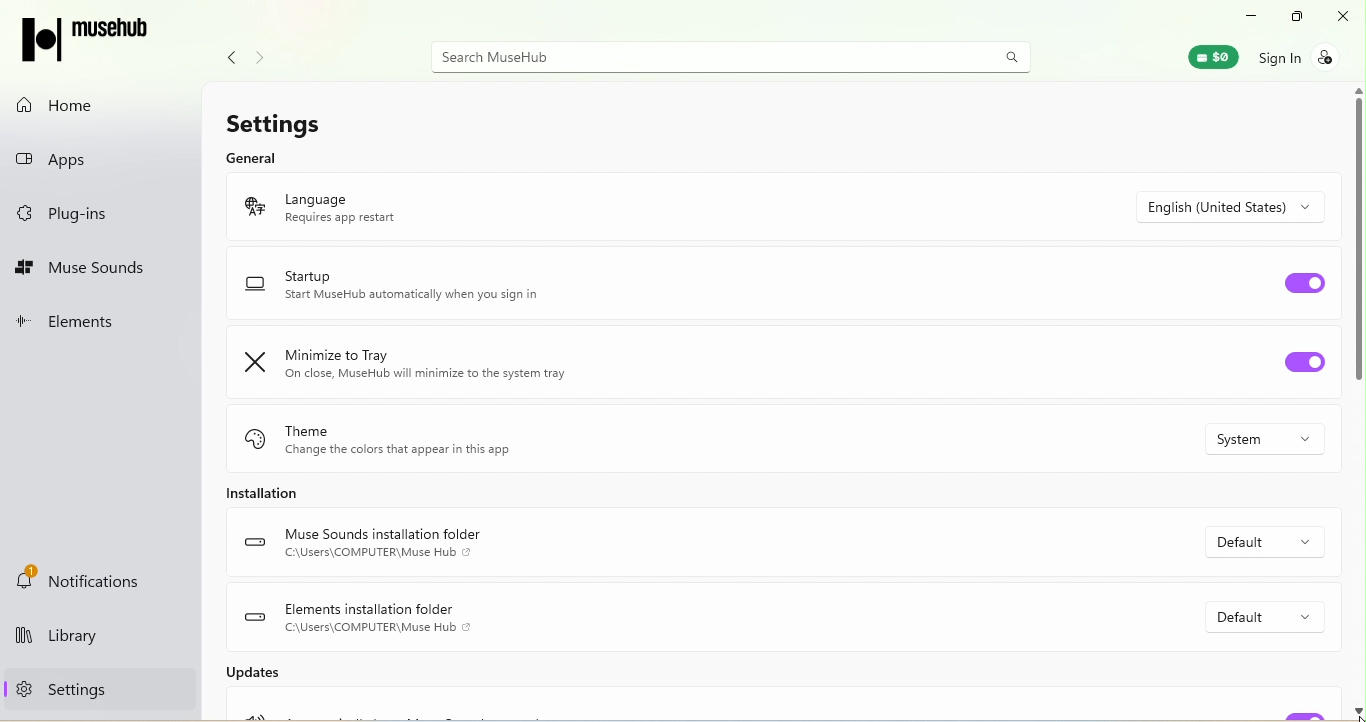  Describe the element at coordinates (254, 441) in the screenshot. I see `Icon` at that location.